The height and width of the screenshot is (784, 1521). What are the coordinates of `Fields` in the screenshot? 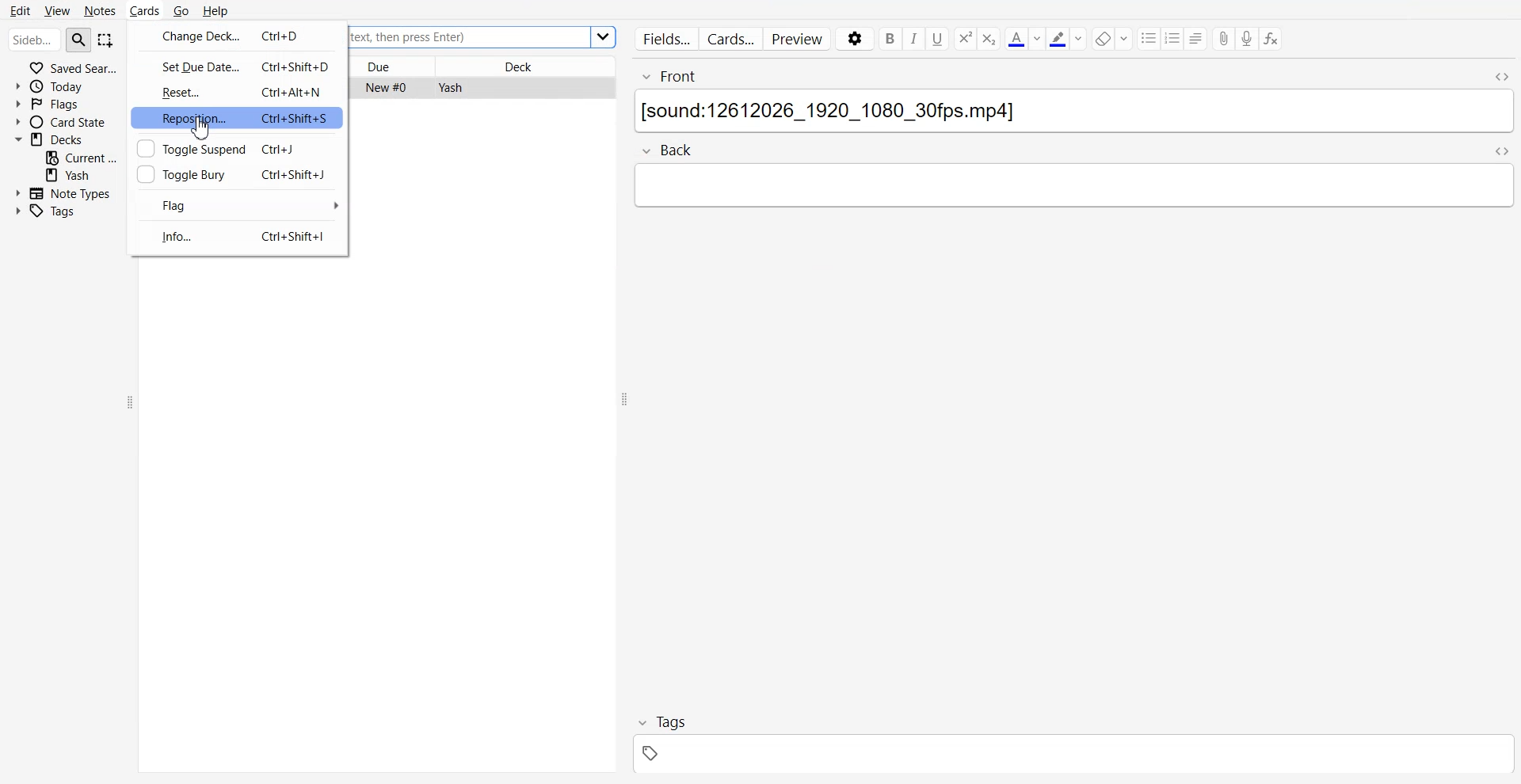 It's located at (663, 38).